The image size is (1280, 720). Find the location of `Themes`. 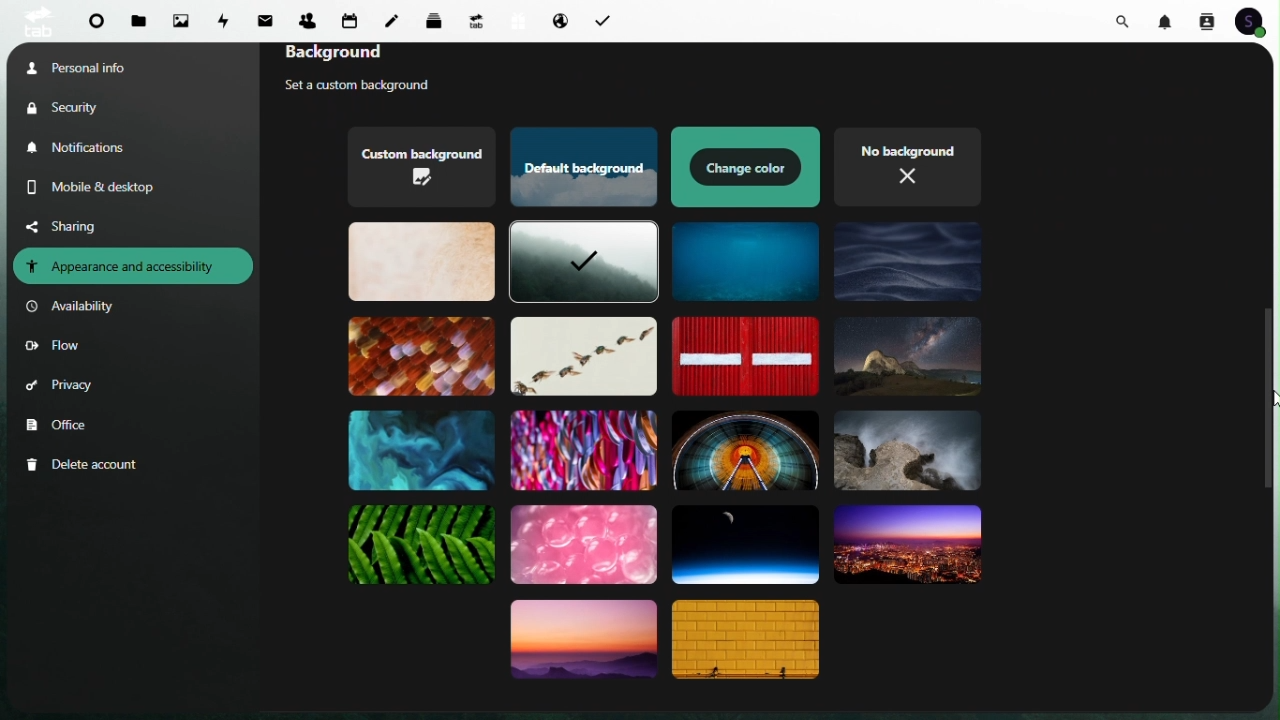

Themes is located at coordinates (583, 264).